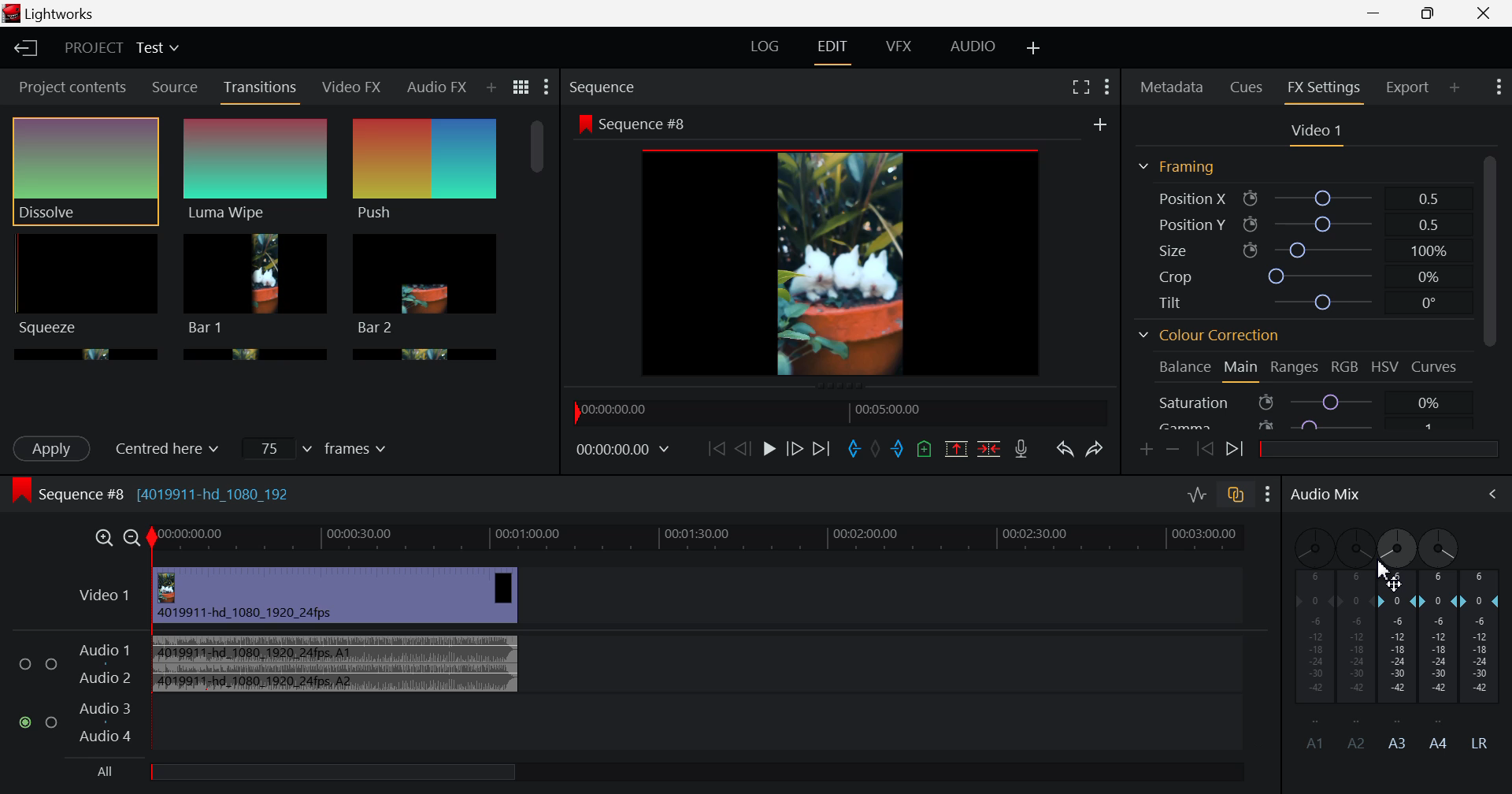 The width and height of the screenshot is (1512, 794). Describe the element at coordinates (256, 171) in the screenshot. I see `Luma Wipe` at that location.